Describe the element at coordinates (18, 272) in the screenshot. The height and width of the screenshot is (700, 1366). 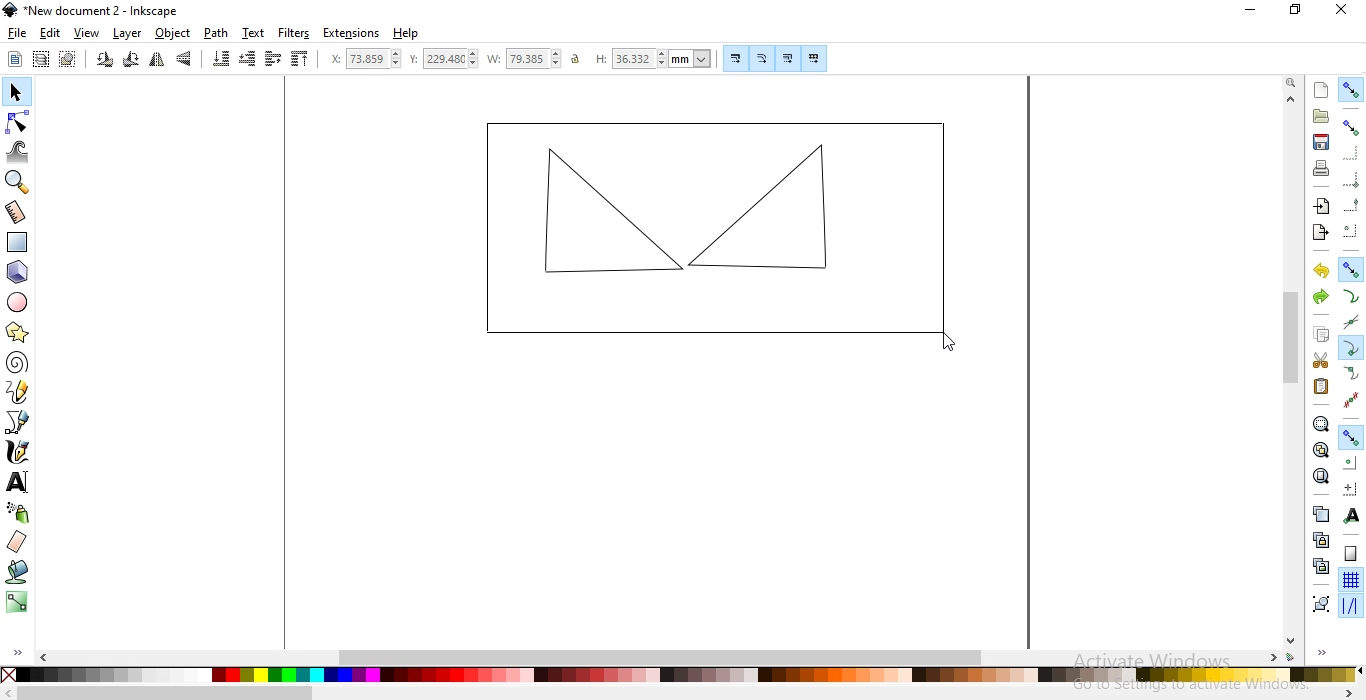
I see `create 3d object` at that location.